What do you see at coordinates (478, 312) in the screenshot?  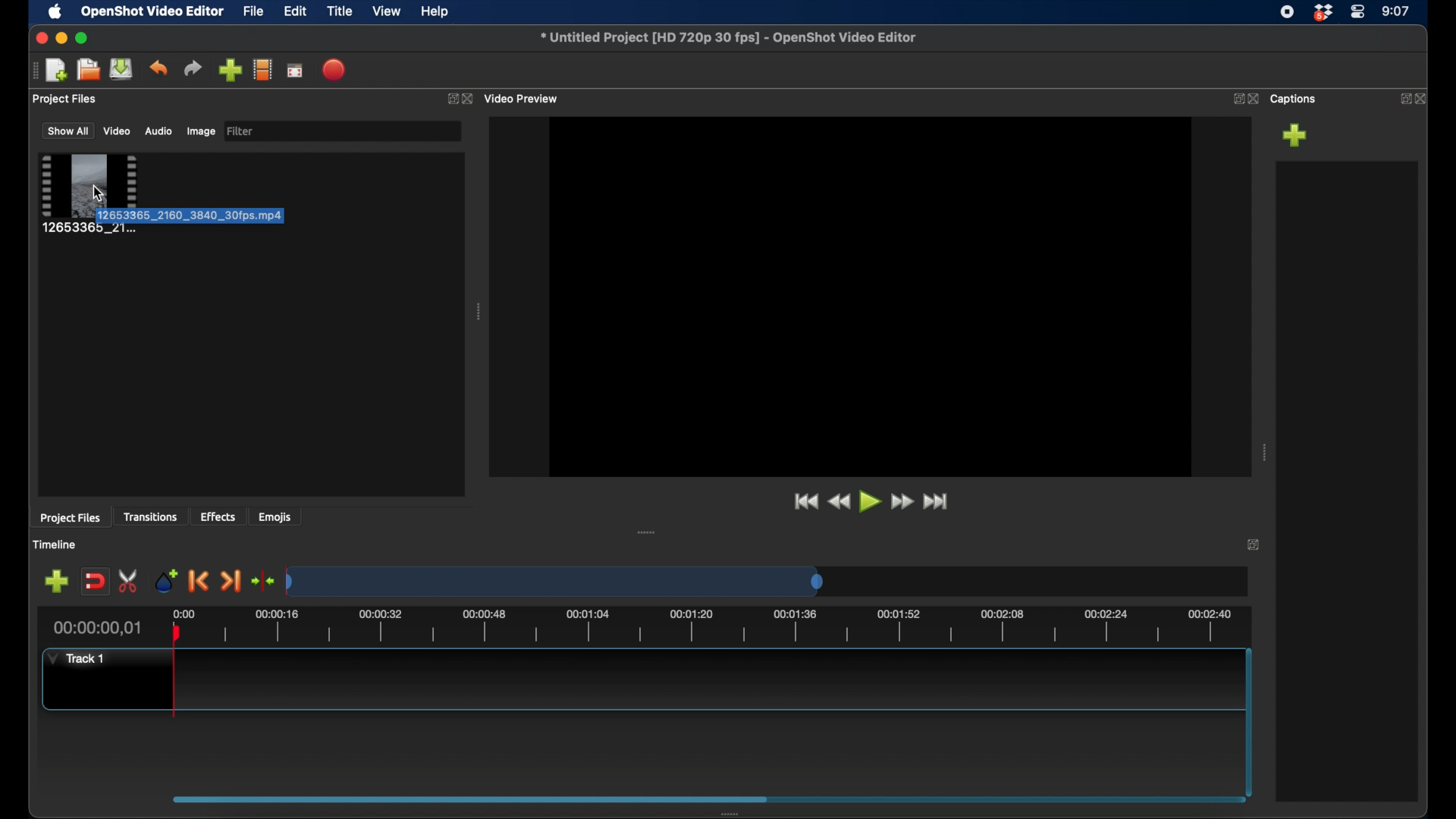 I see `drag handle` at bounding box center [478, 312].